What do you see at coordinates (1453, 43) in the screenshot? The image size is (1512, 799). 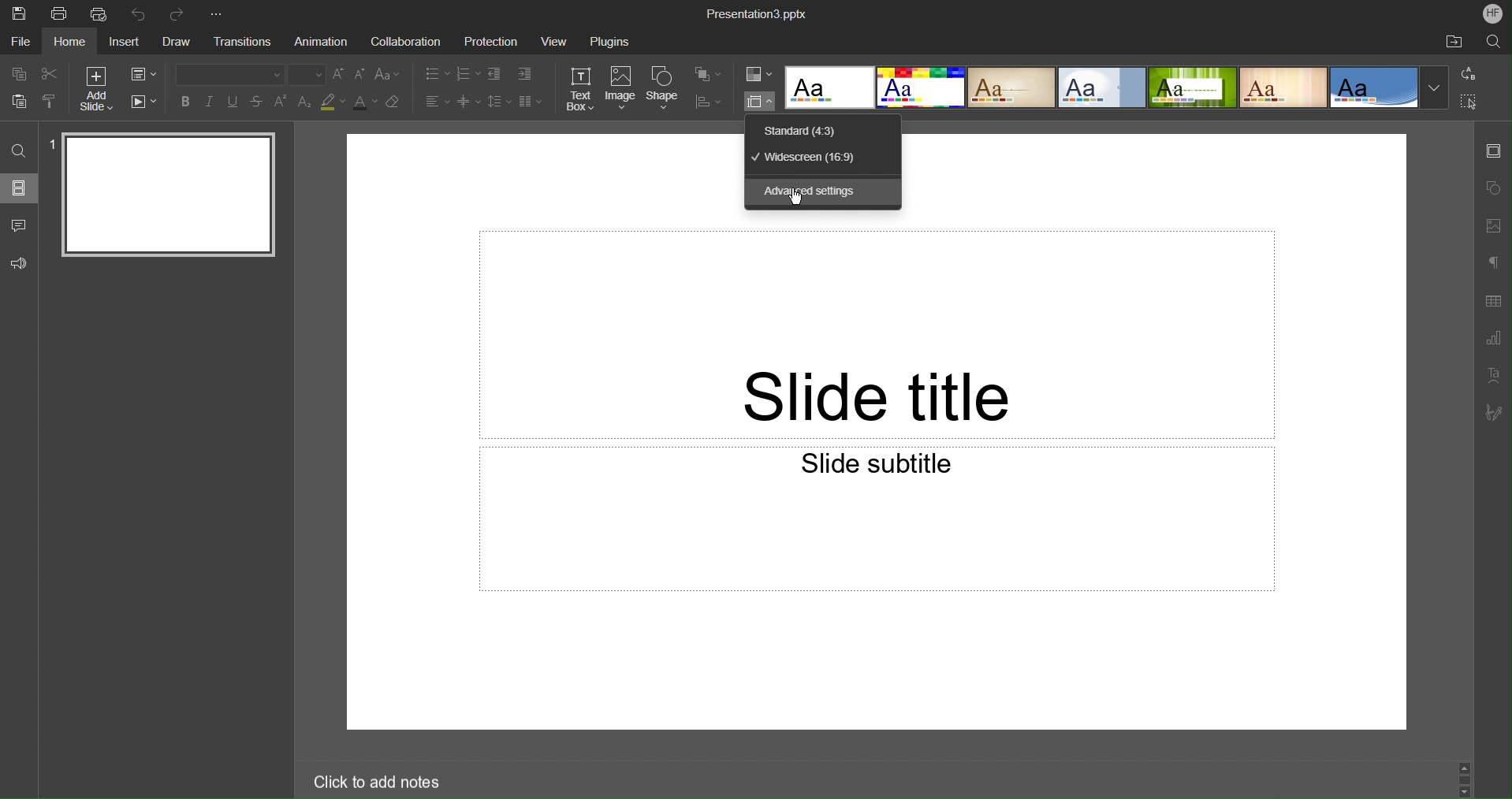 I see `Open File Location` at bounding box center [1453, 43].